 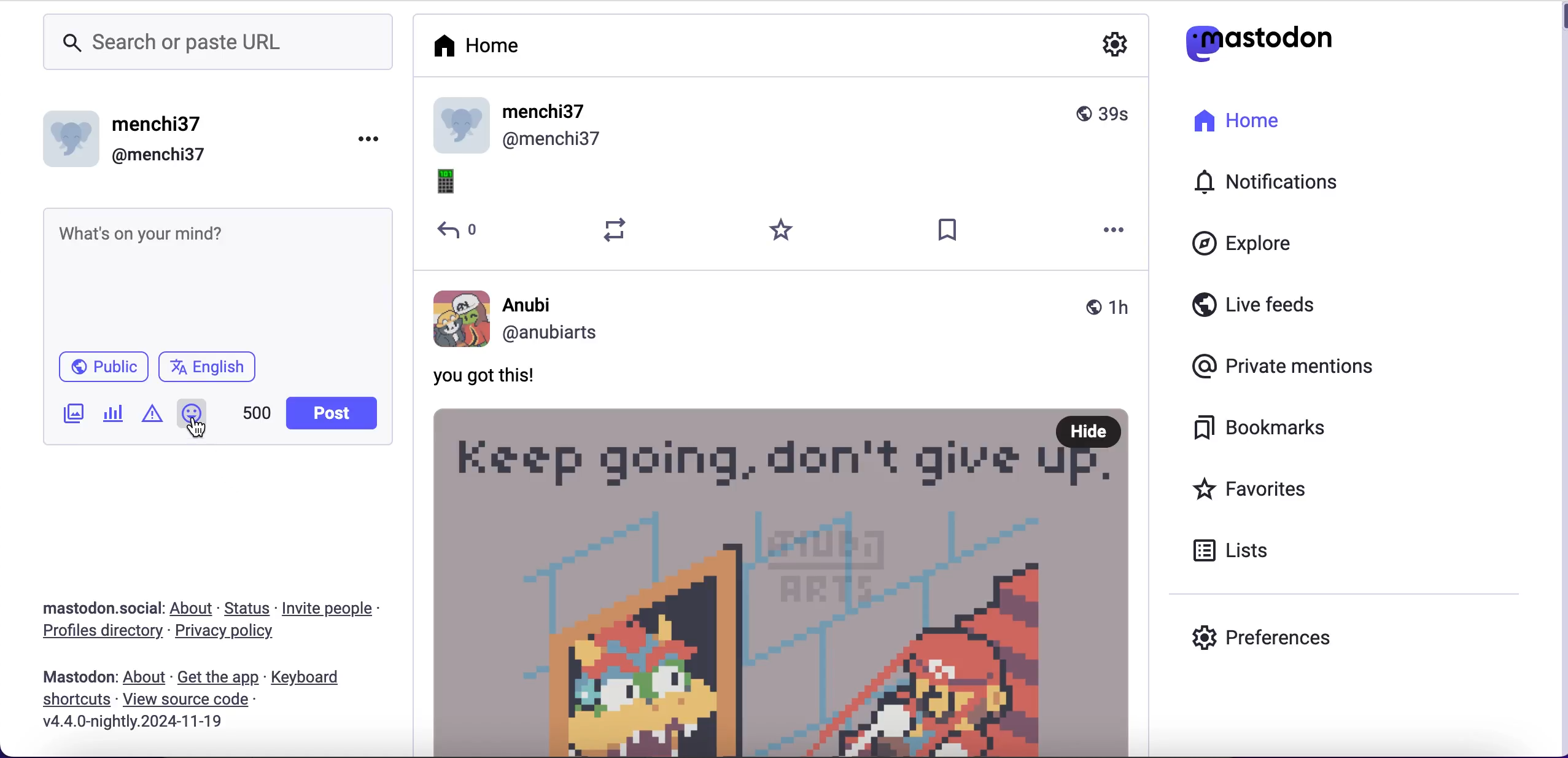 What do you see at coordinates (335, 412) in the screenshot?
I see `post` at bounding box center [335, 412].